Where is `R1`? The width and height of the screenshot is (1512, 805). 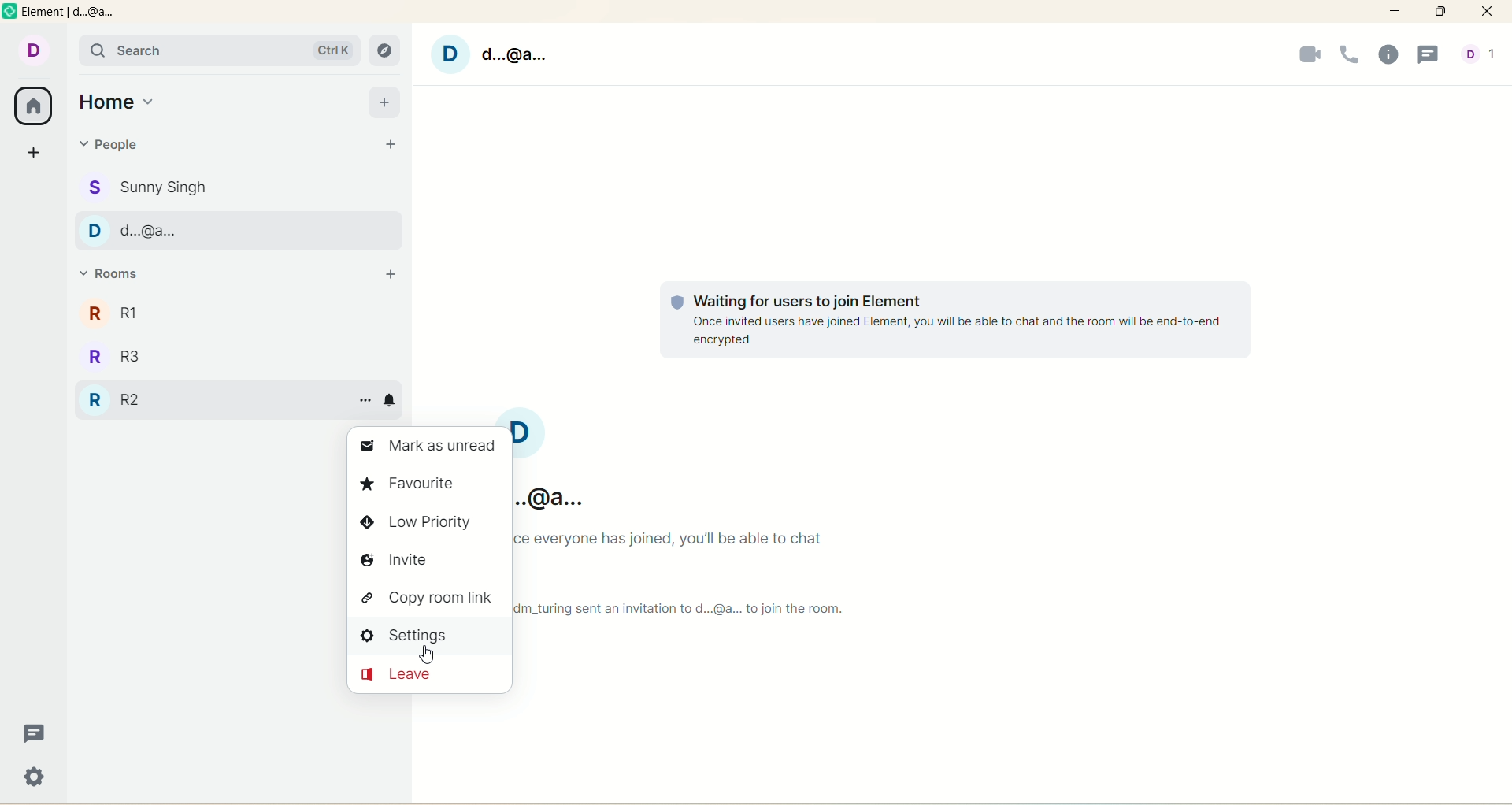
R1 is located at coordinates (235, 314).